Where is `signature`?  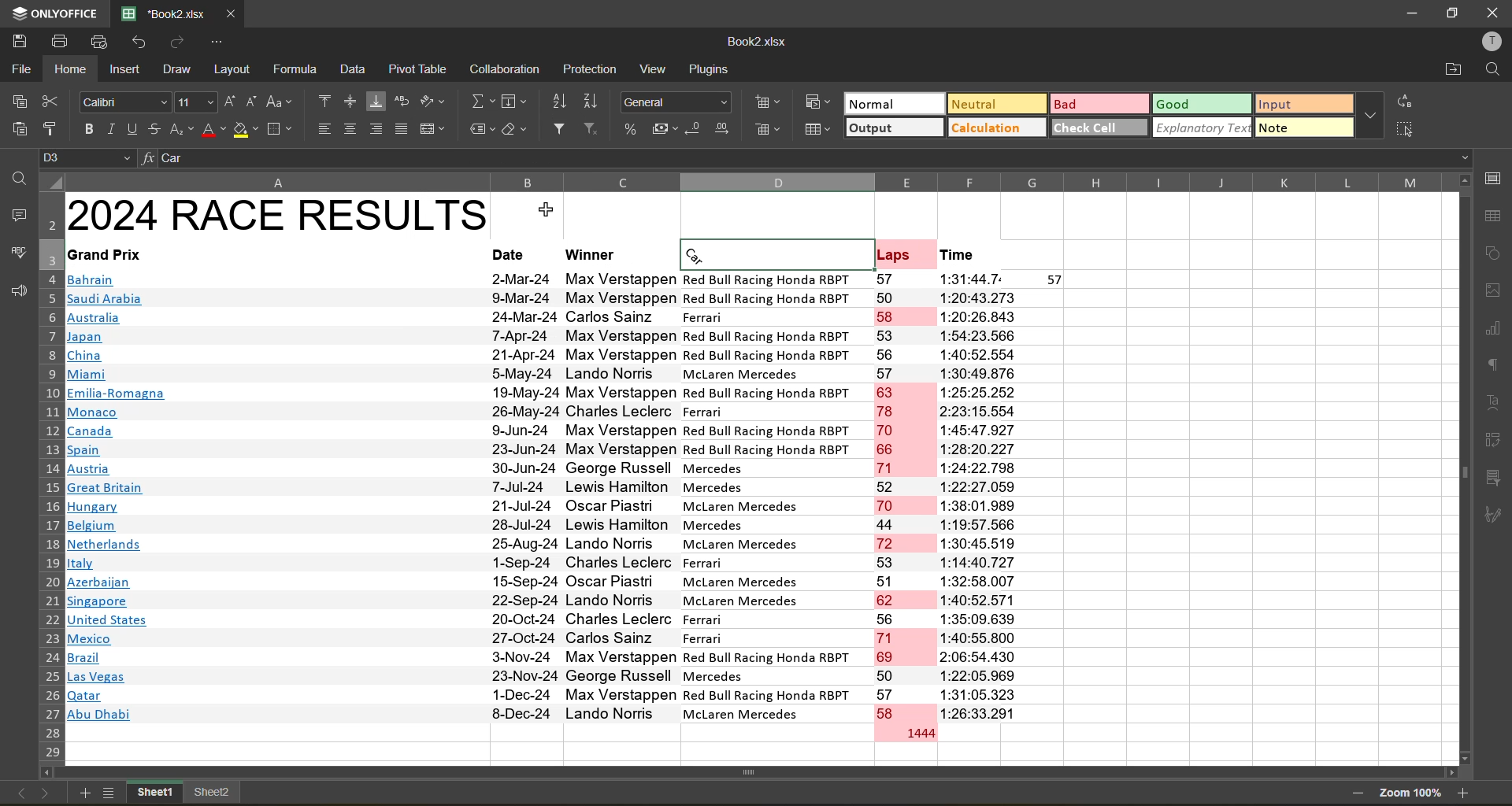 signature is located at coordinates (1494, 515).